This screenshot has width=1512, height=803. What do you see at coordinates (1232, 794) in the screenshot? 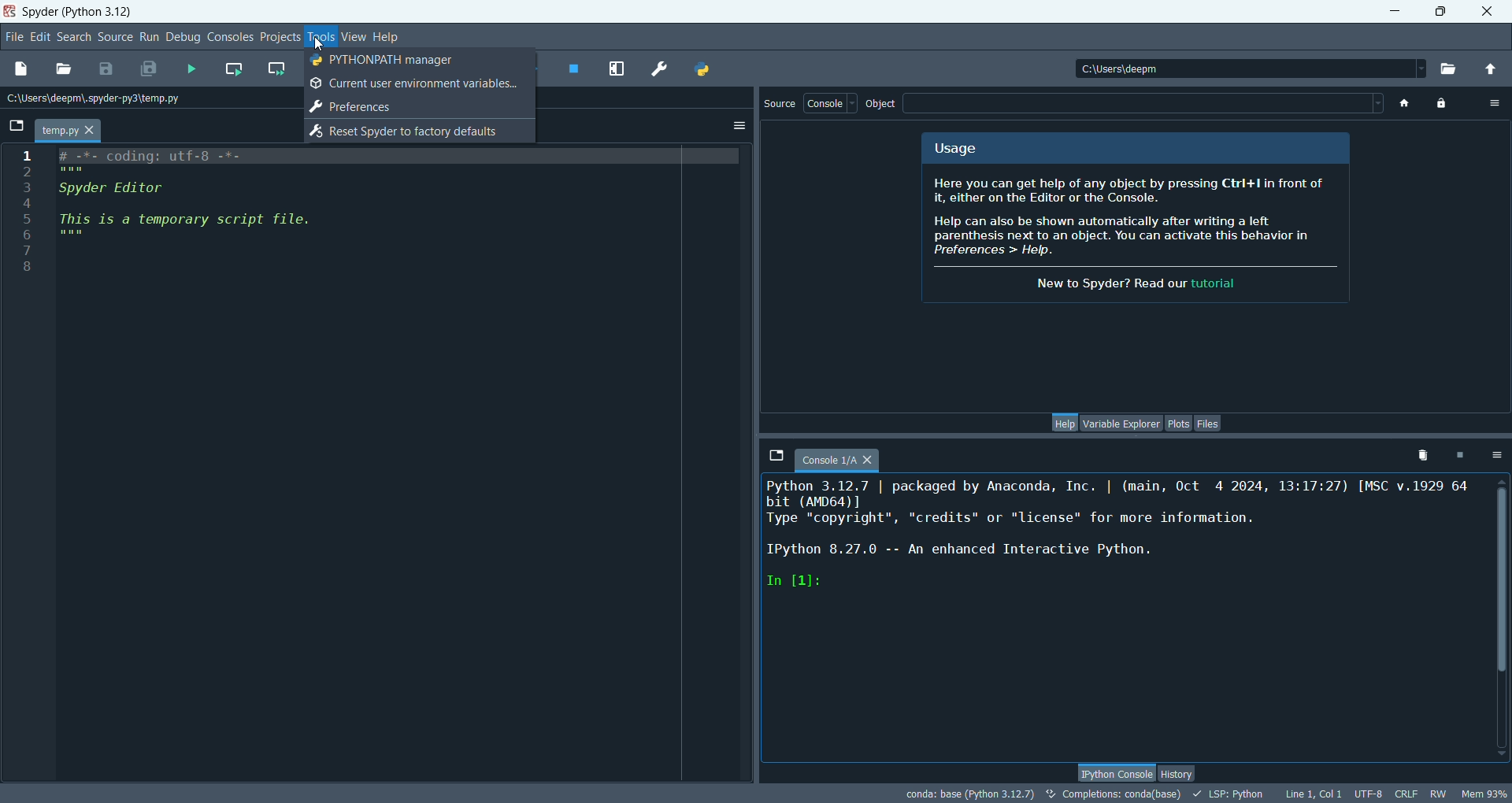
I see `LSP:python` at bounding box center [1232, 794].